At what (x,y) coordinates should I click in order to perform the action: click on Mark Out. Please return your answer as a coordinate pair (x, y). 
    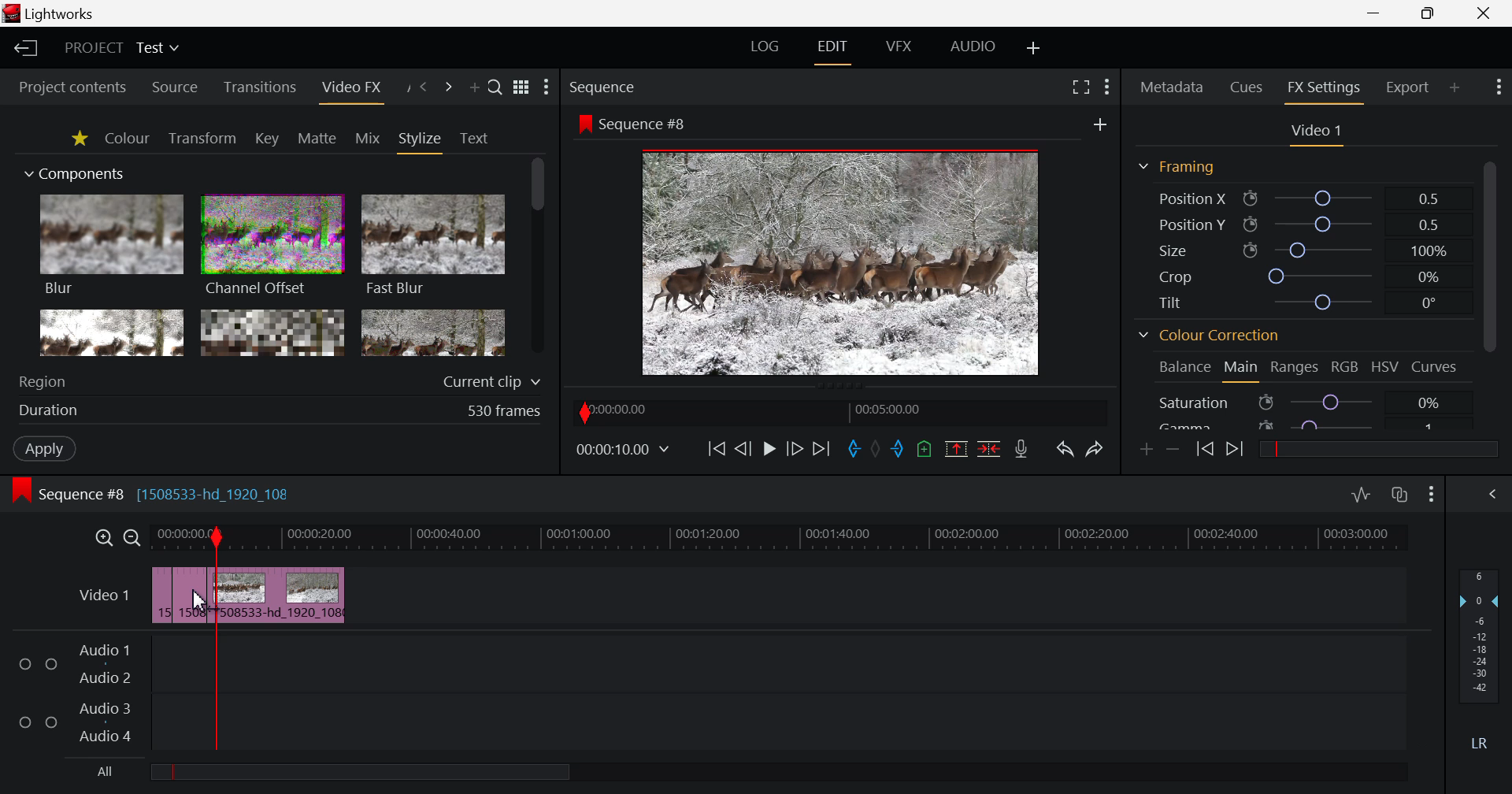
    Looking at the image, I should click on (902, 451).